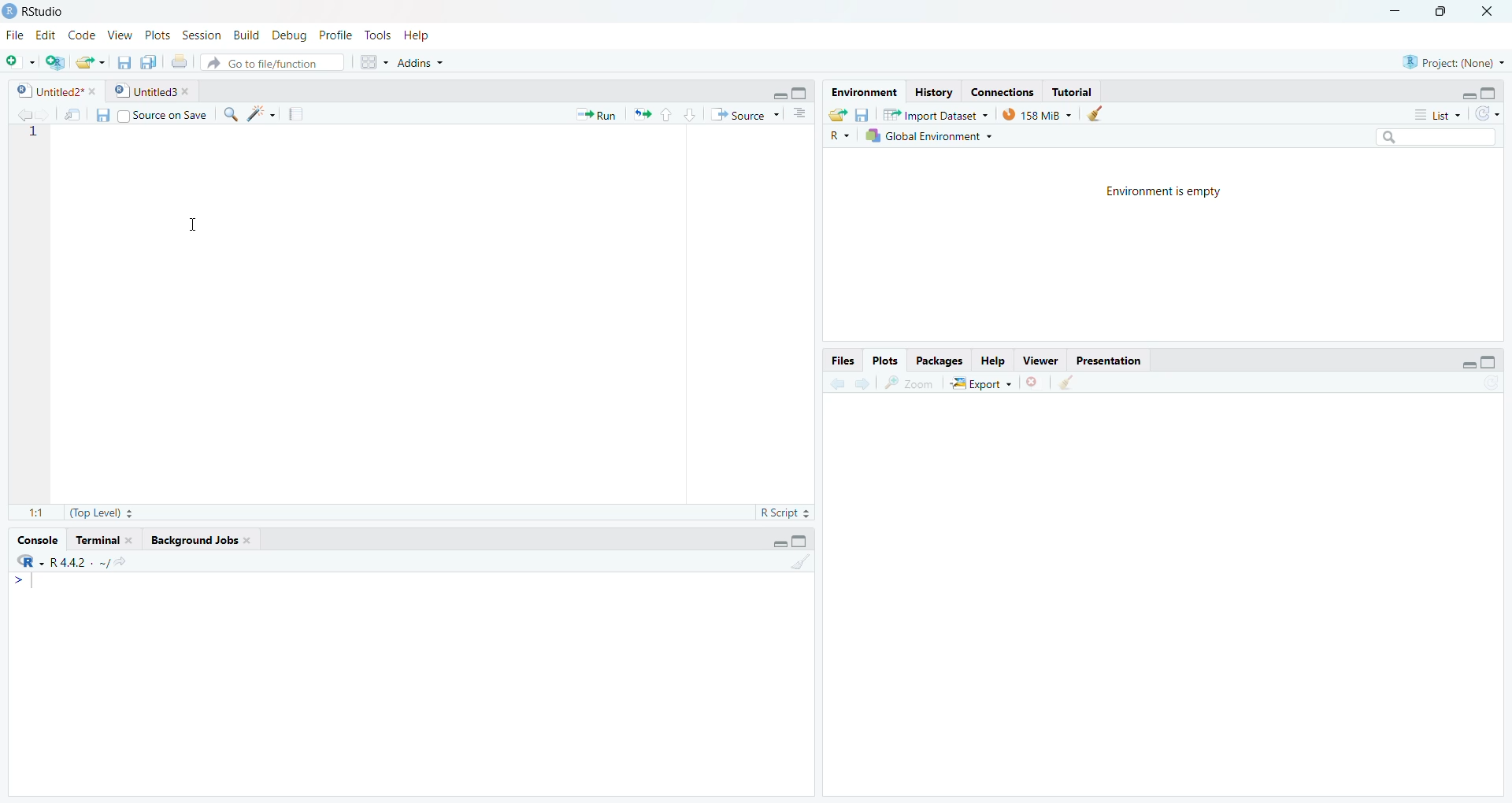  I want to click on Is Help, so click(424, 31).